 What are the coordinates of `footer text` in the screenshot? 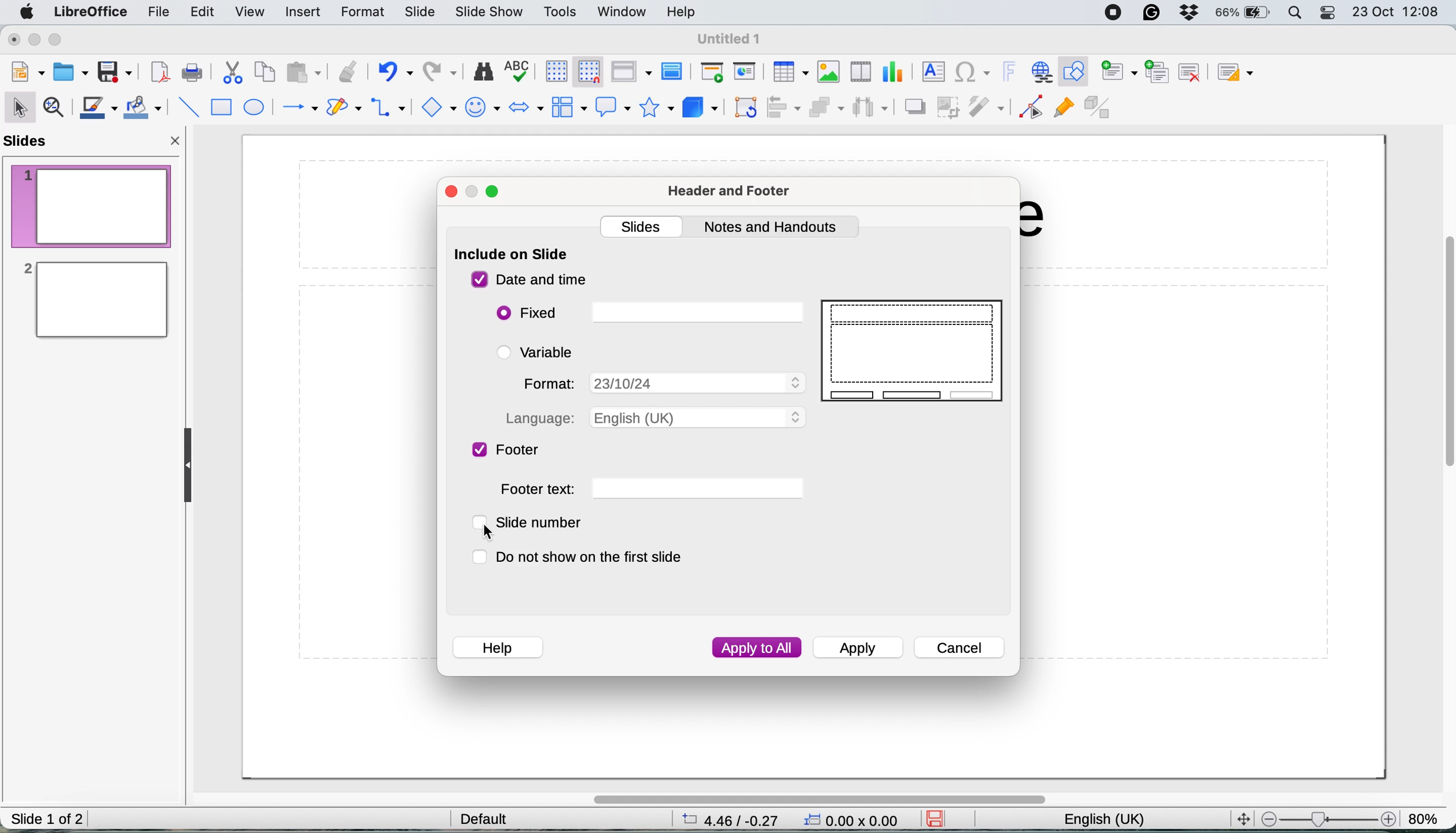 It's located at (651, 490).